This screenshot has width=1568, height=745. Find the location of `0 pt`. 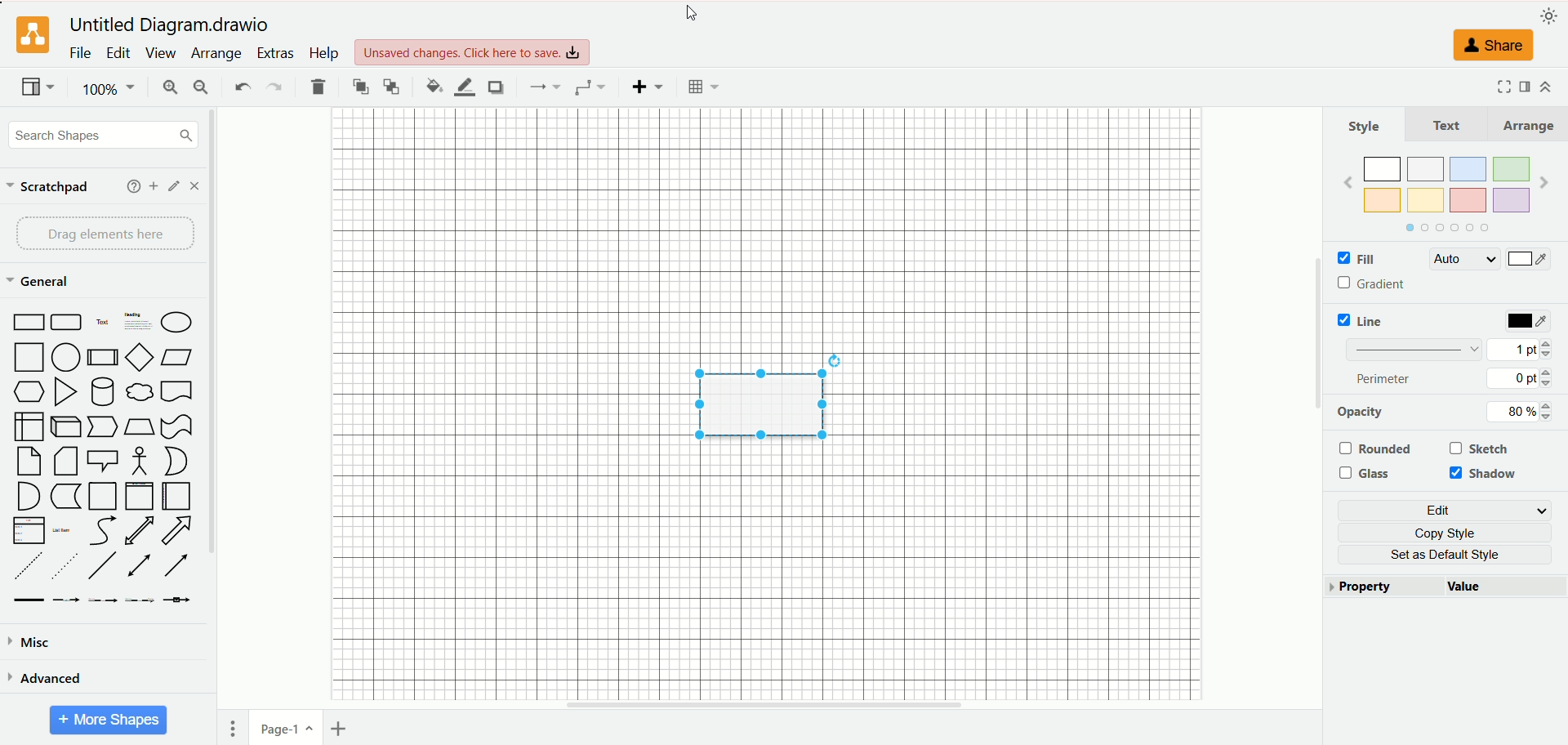

0 pt is located at coordinates (1522, 378).